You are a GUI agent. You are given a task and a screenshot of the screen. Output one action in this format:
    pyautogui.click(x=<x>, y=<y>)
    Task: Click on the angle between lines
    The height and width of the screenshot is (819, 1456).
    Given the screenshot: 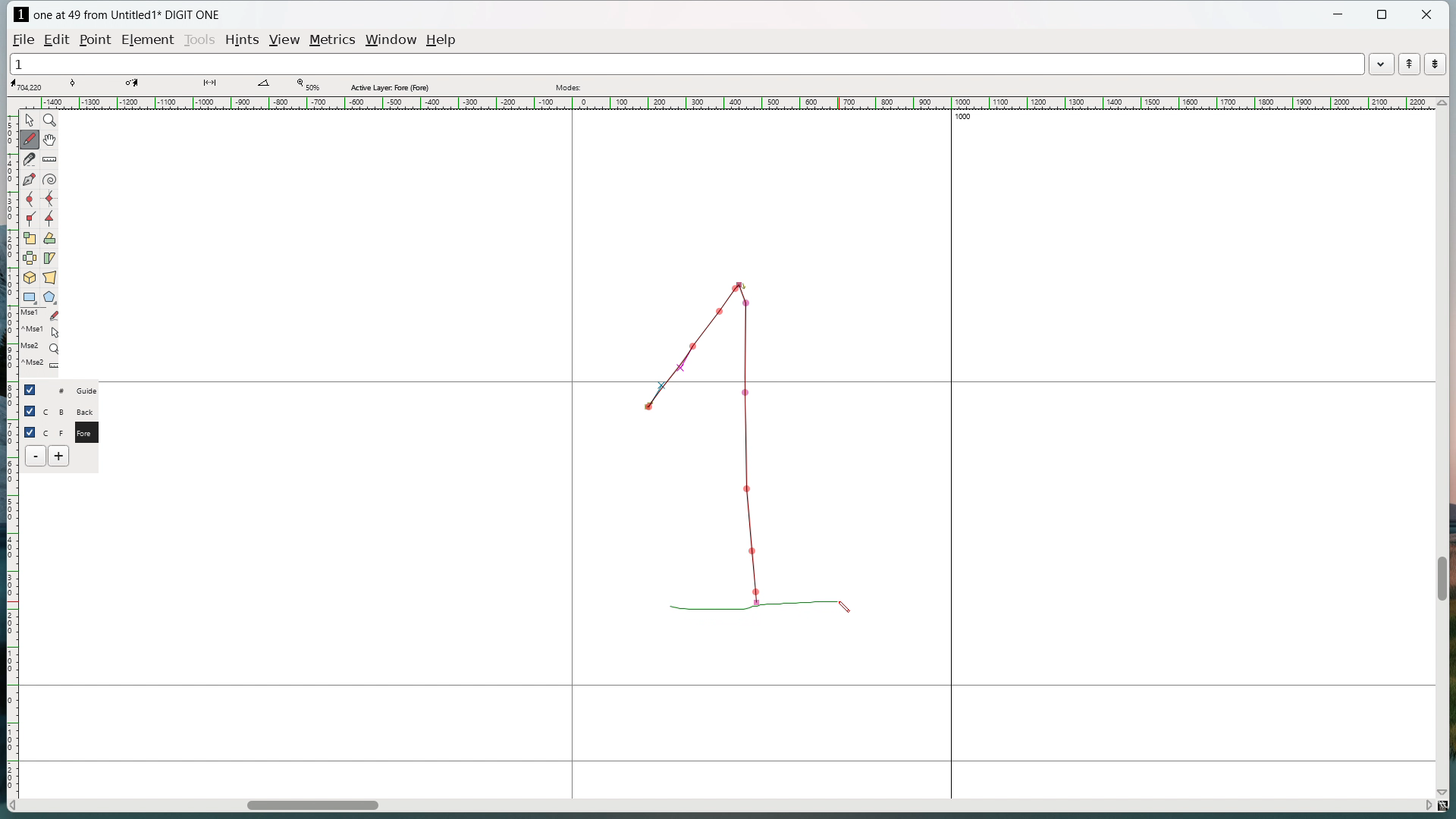 What is the action you would take?
    pyautogui.click(x=272, y=86)
    